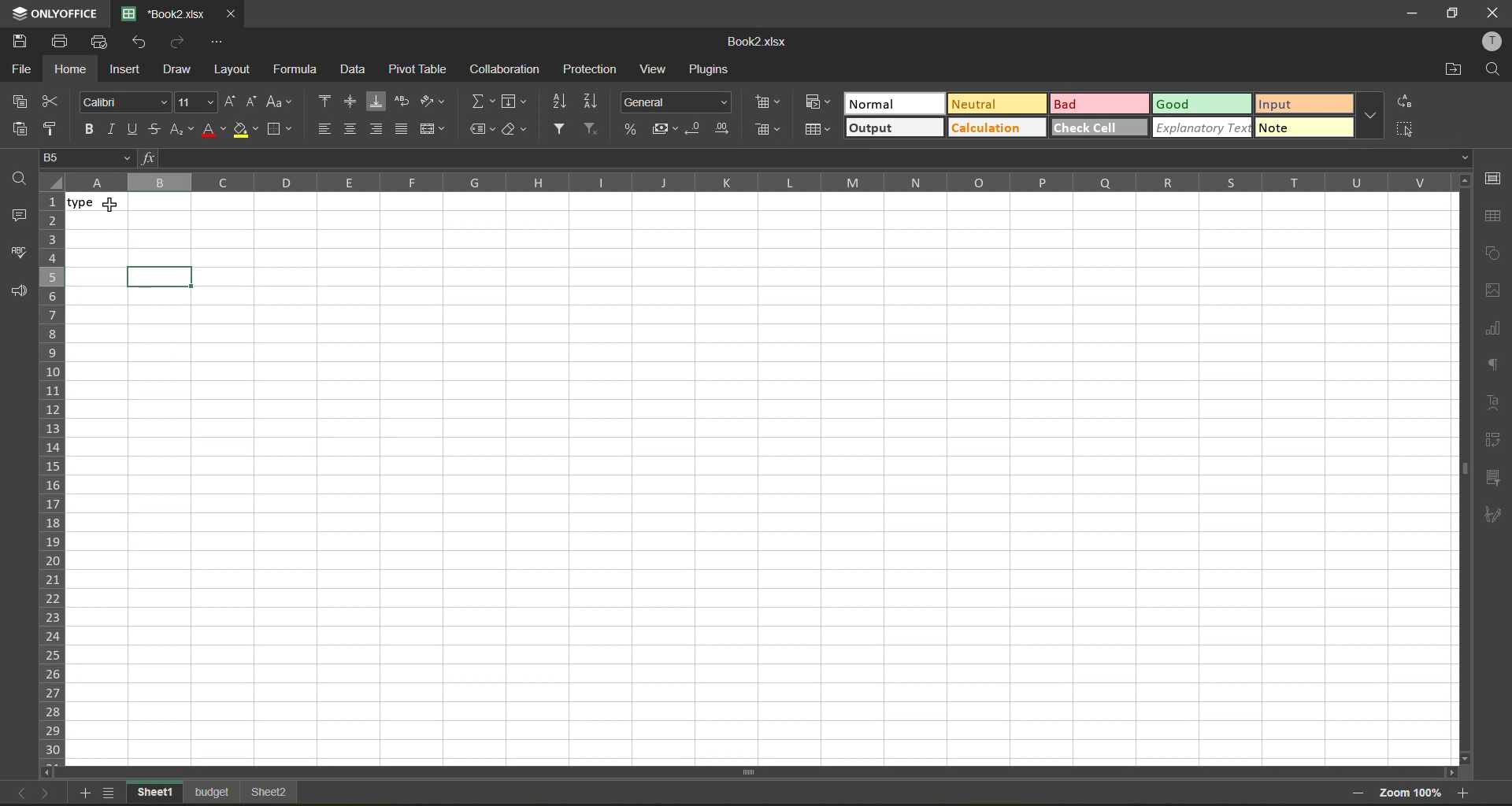 Image resolution: width=1512 pixels, height=806 pixels. Describe the element at coordinates (124, 102) in the screenshot. I see `font style` at that location.